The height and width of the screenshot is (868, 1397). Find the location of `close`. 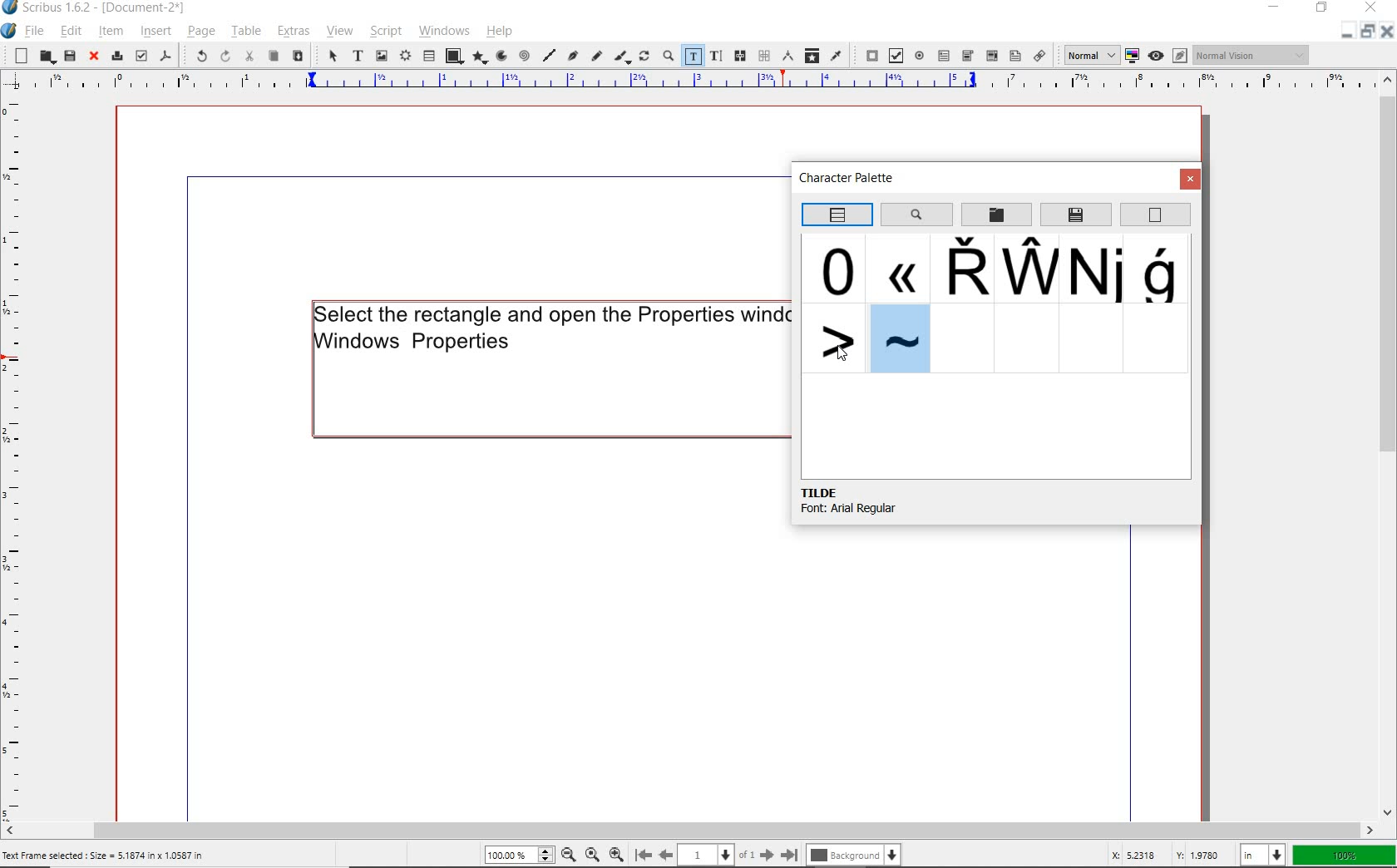

close is located at coordinates (1370, 9).